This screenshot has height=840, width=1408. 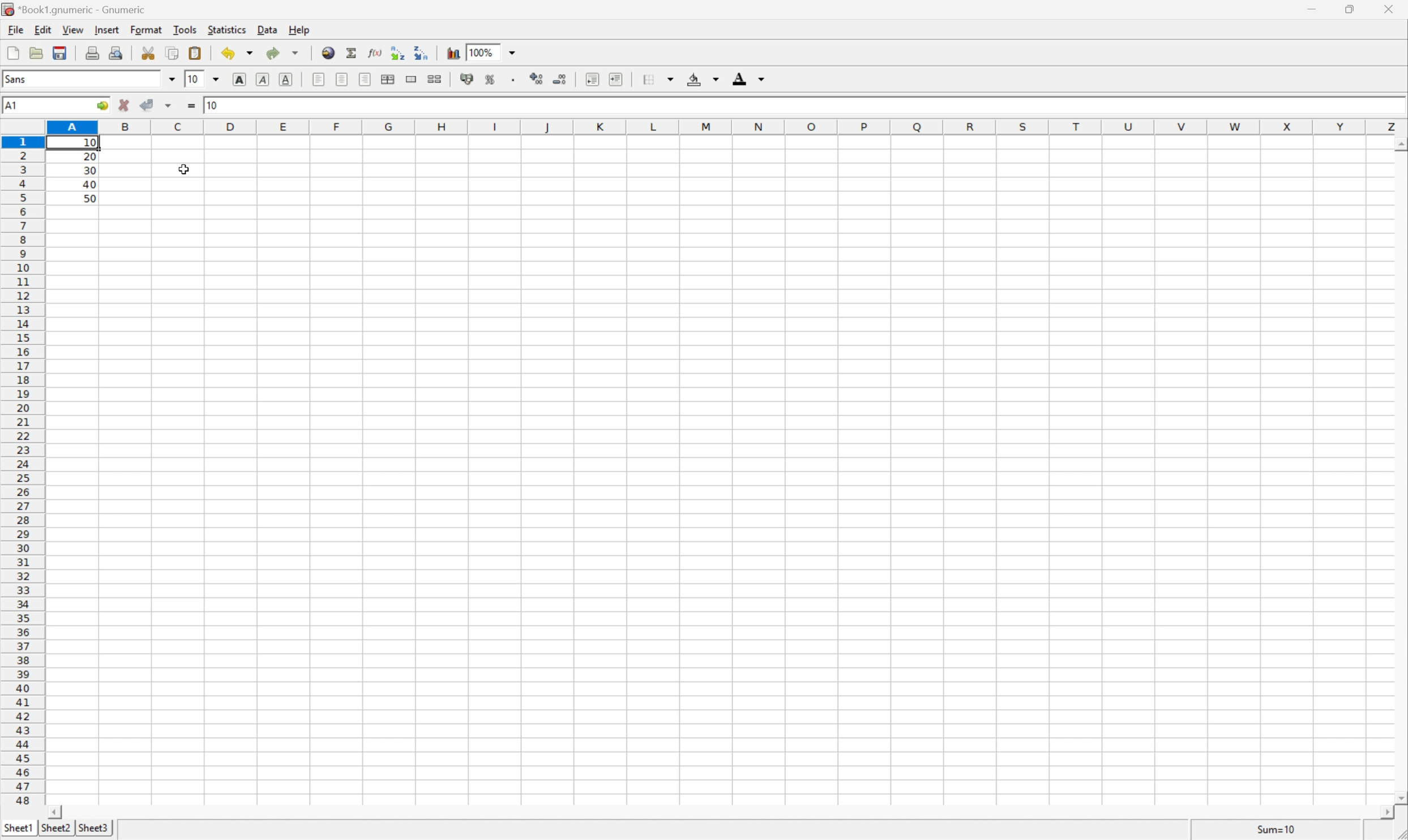 I want to click on Align right, so click(x=365, y=79).